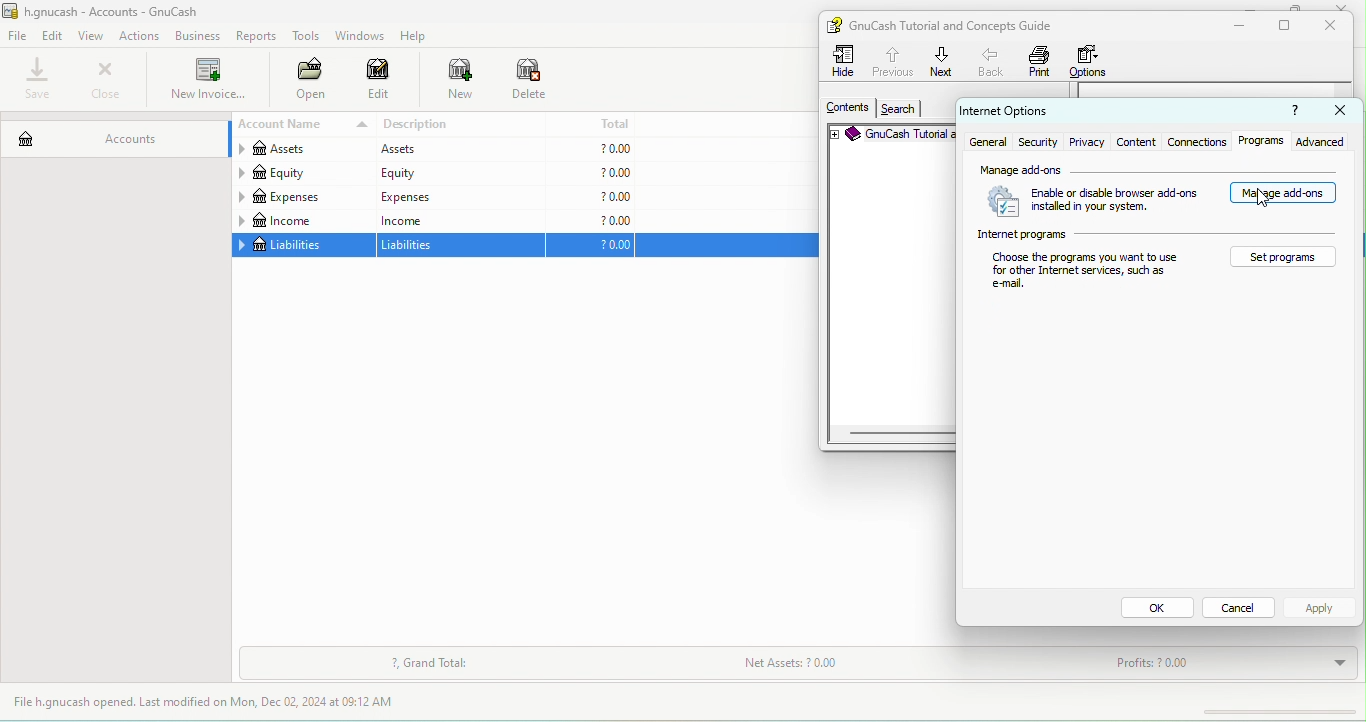 The image size is (1366, 722). Describe the element at coordinates (457, 196) in the screenshot. I see `expeness` at that location.